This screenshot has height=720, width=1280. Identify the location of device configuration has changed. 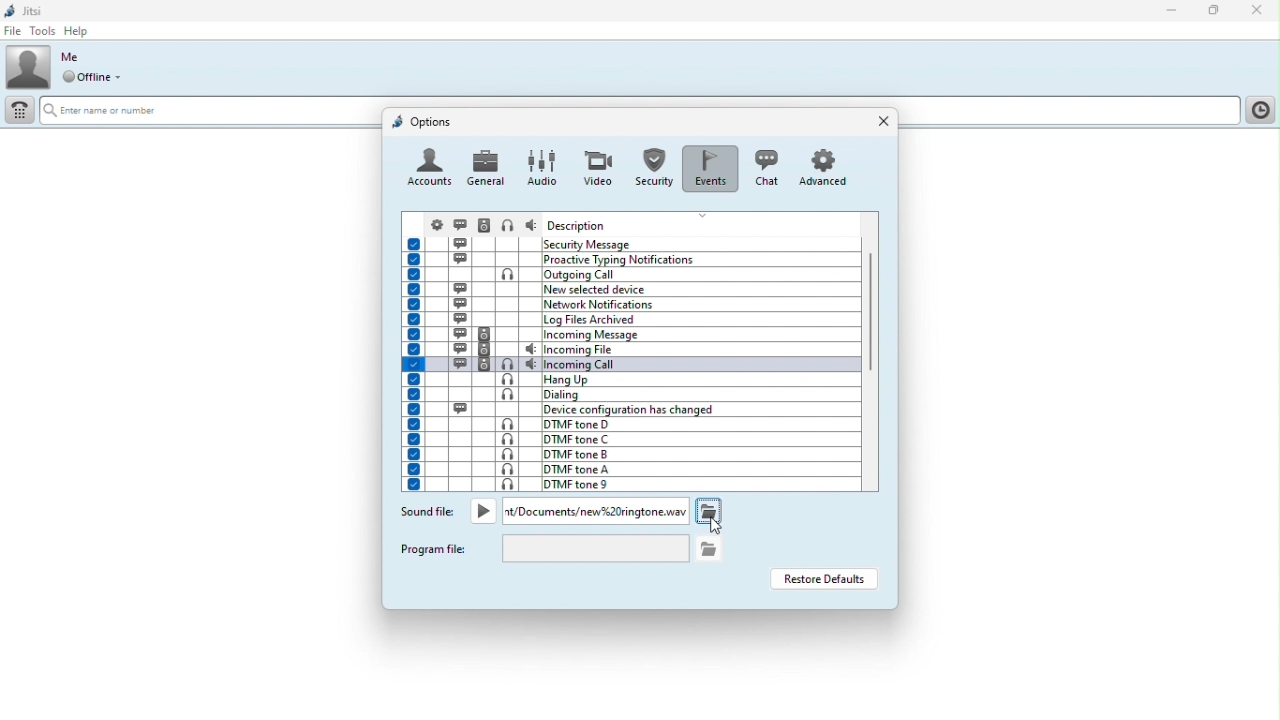
(632, 409).